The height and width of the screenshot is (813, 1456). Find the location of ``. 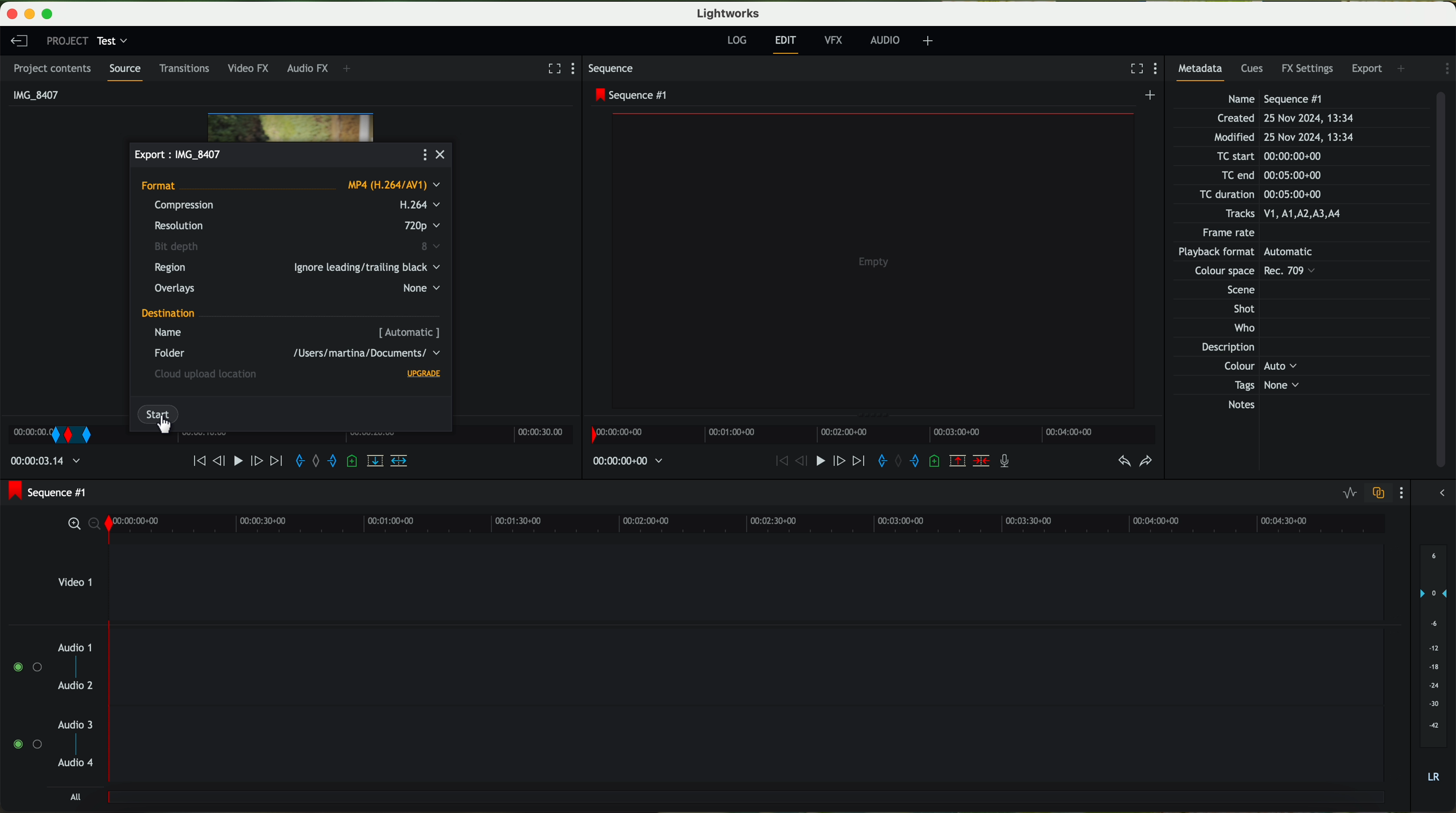

 is located at coordinates (1256, 253).